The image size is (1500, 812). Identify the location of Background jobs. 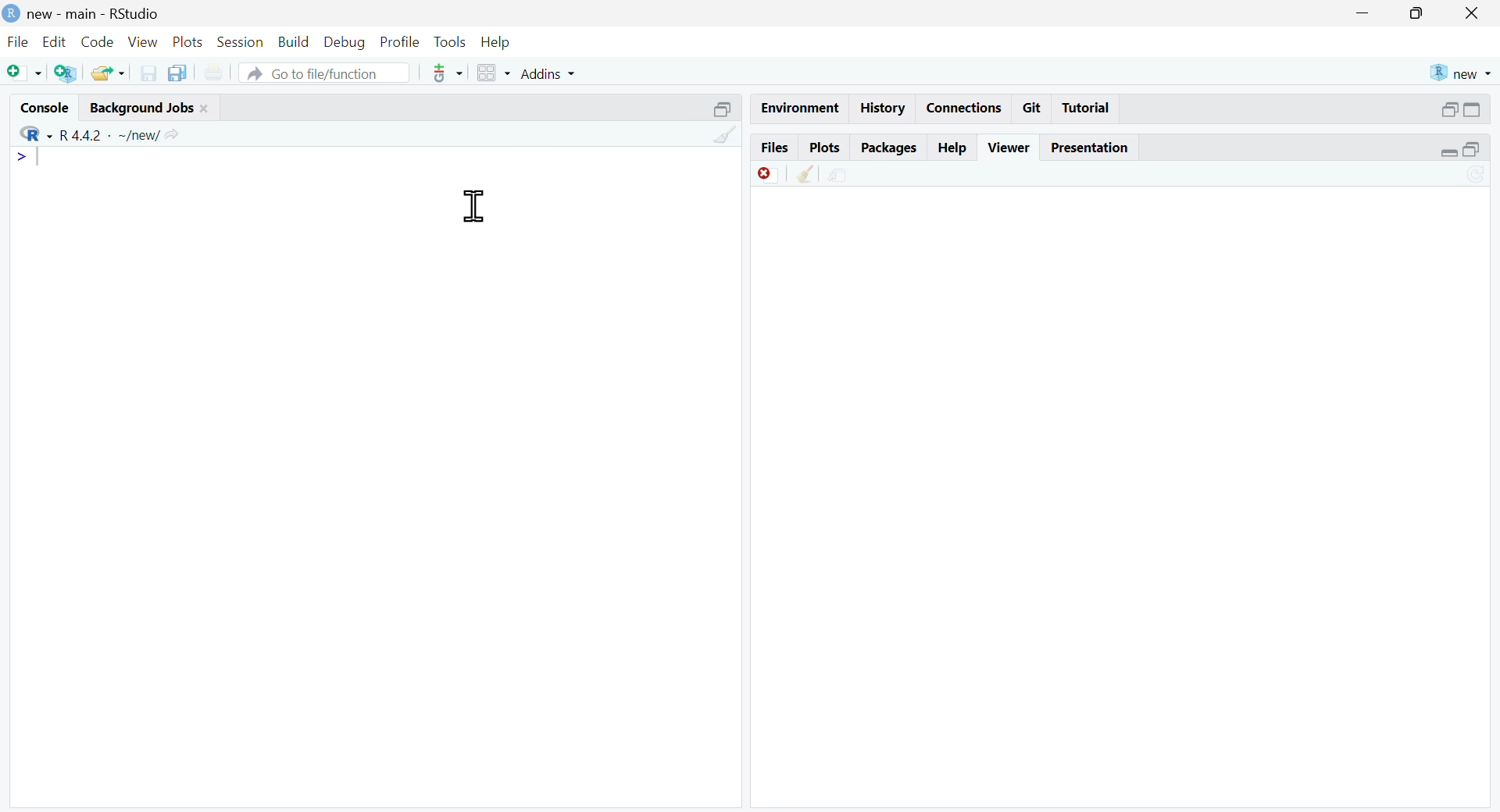
(141, 108).